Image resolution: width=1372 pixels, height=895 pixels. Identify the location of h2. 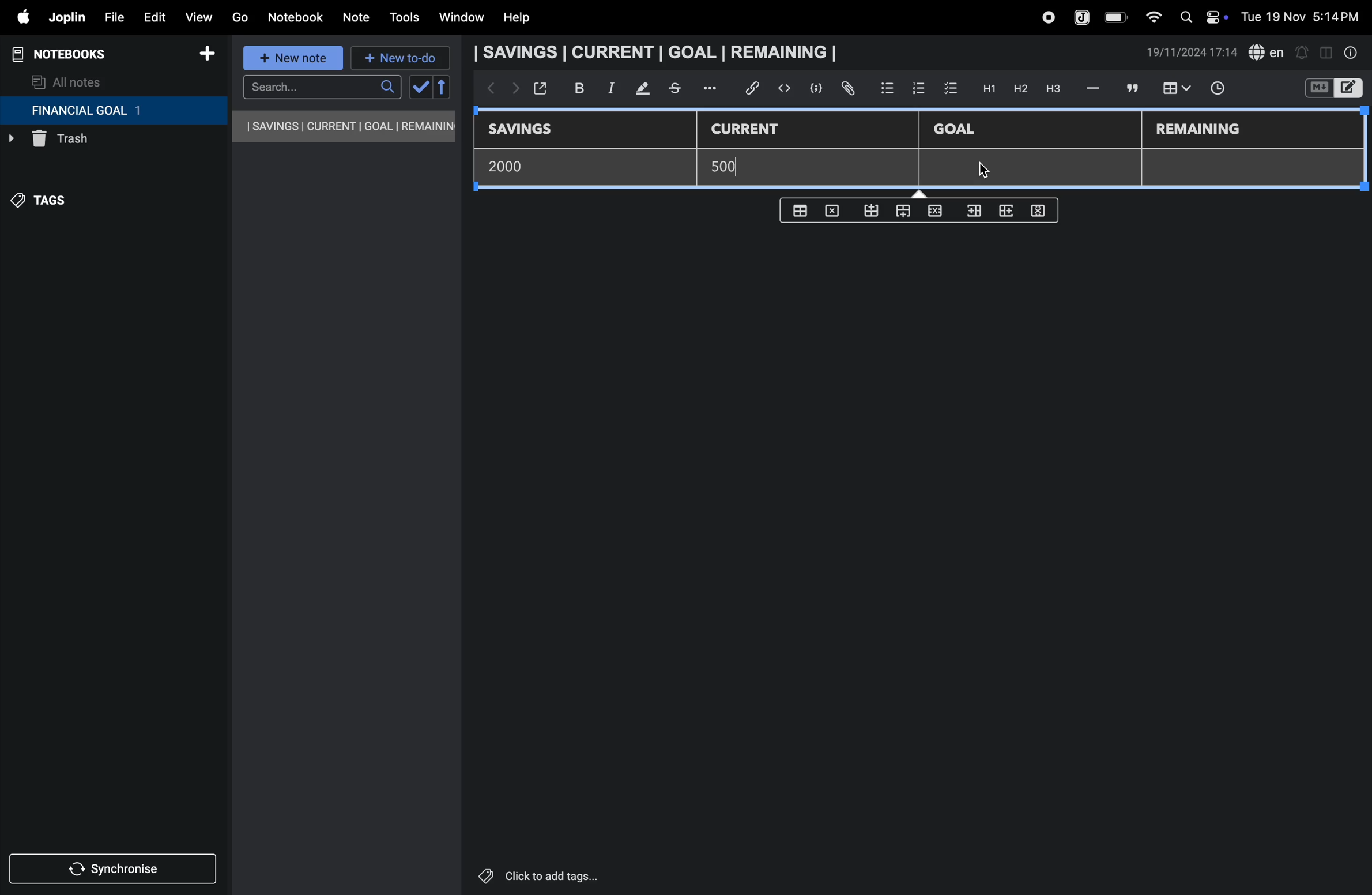
(1019, 88).